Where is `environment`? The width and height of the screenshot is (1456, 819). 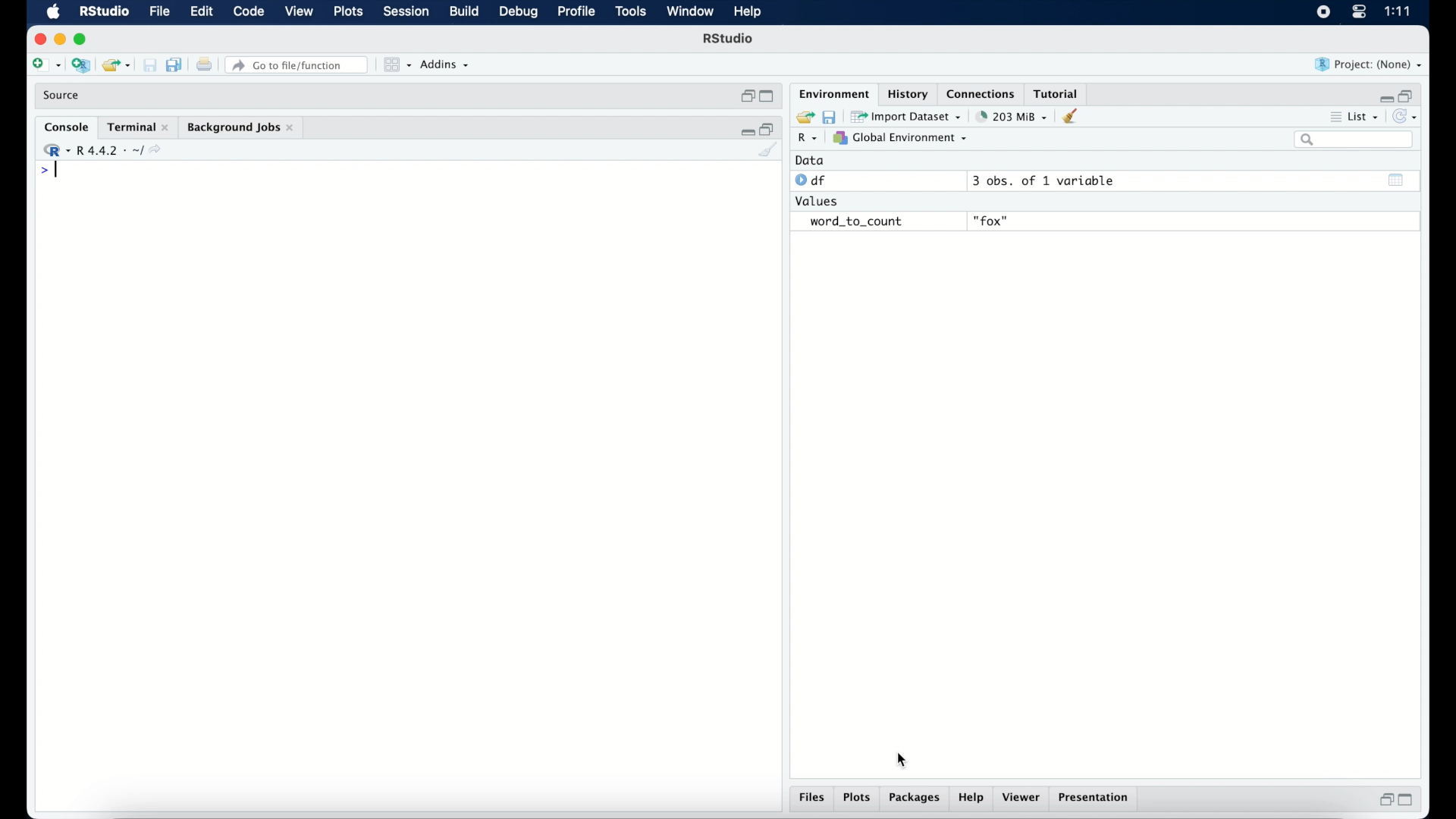
environment is located at coordinates (833, 93).